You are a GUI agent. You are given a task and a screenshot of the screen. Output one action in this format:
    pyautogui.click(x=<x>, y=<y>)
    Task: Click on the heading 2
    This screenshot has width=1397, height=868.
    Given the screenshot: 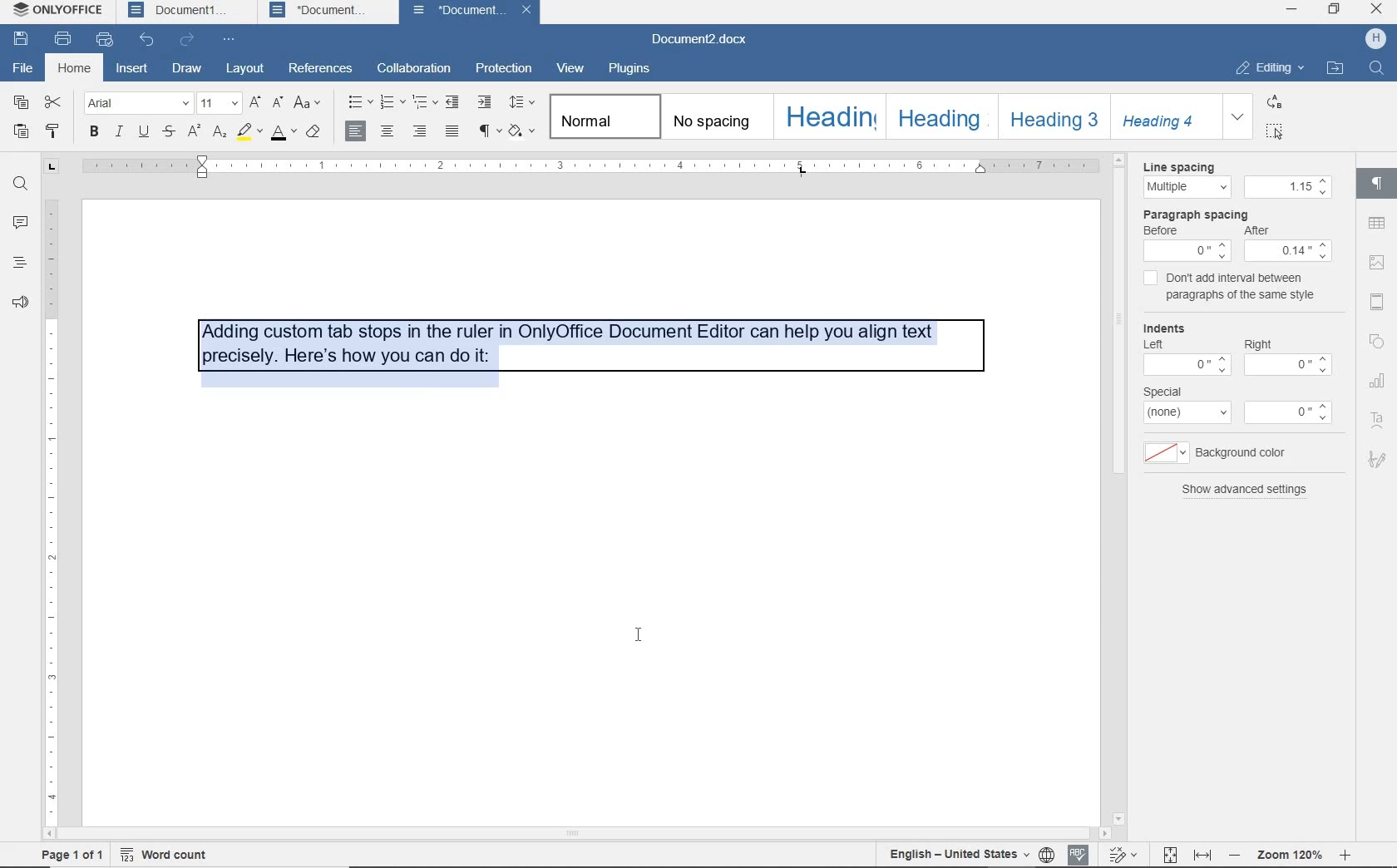 What is the action you would take?
    pyautogui.click(x=940, y=117)
    